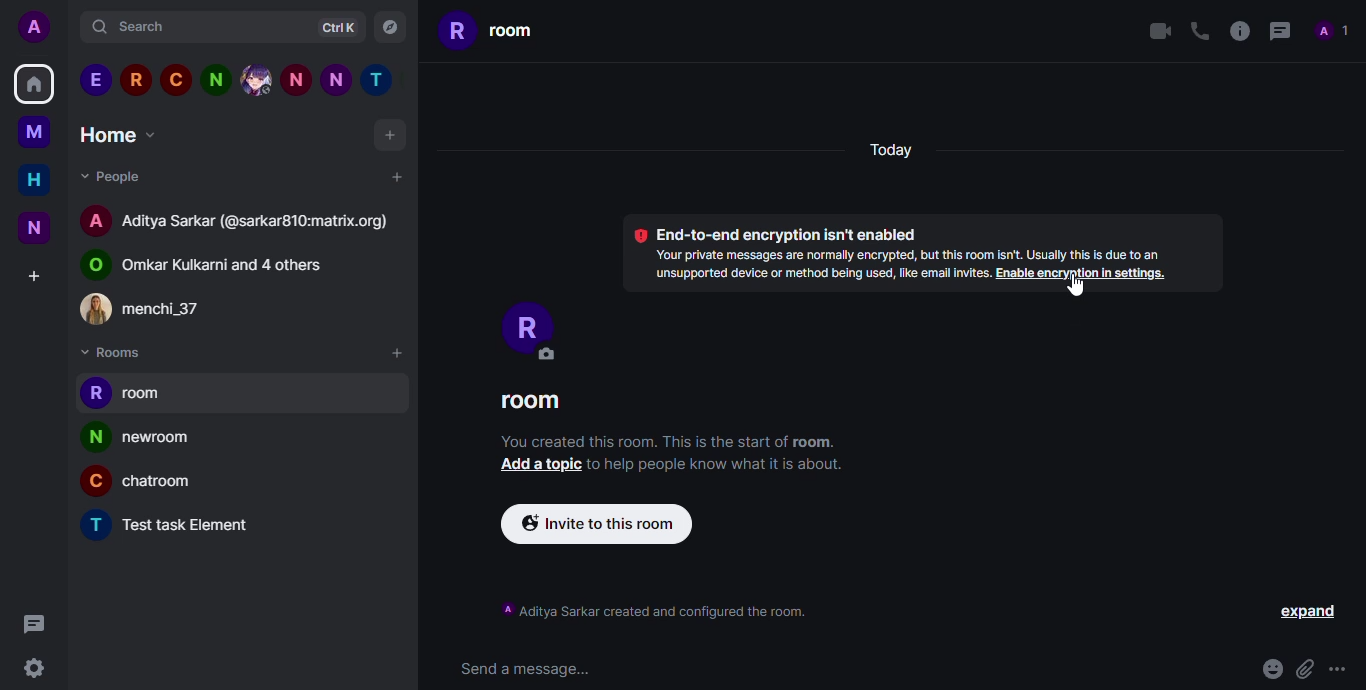 The height and width of the screenshot is (690, 1366). Describe the element at coordinates (530, 669) in the screenshot. I see `sed message` at that location.